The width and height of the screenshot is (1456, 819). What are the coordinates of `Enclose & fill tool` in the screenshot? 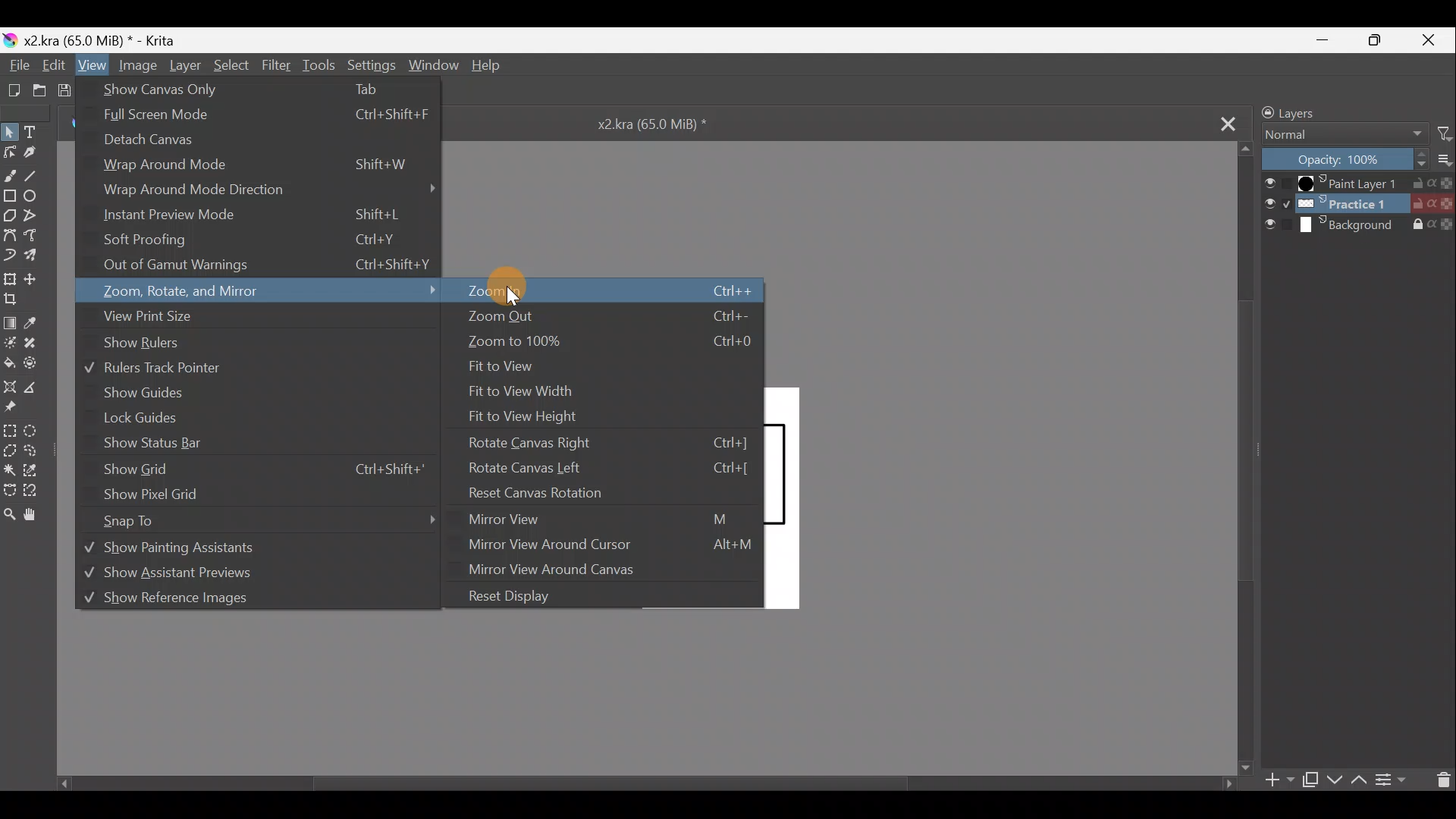 It's located at (36, 364).